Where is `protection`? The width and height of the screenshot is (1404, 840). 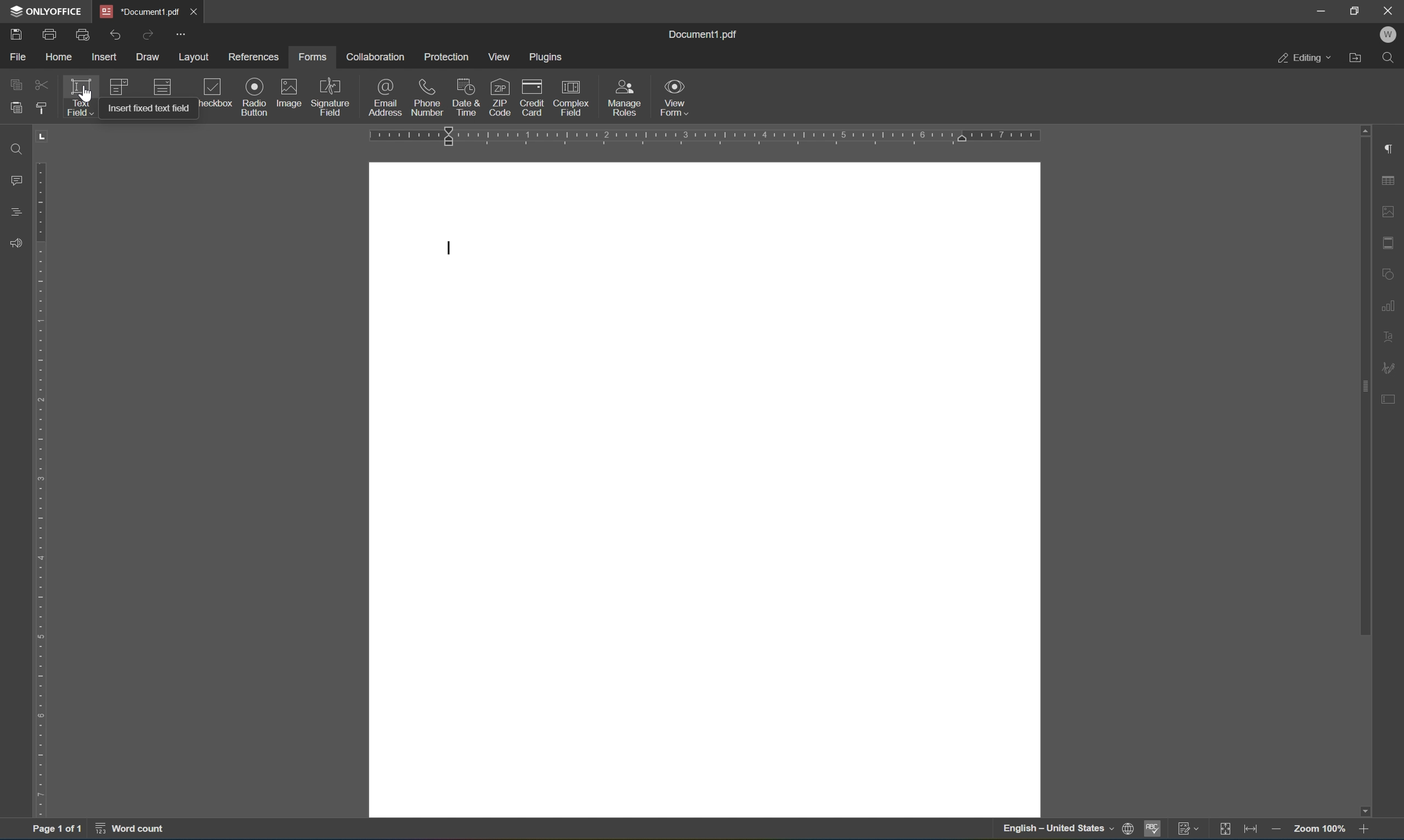 protection is located at coordinates (447, 57).